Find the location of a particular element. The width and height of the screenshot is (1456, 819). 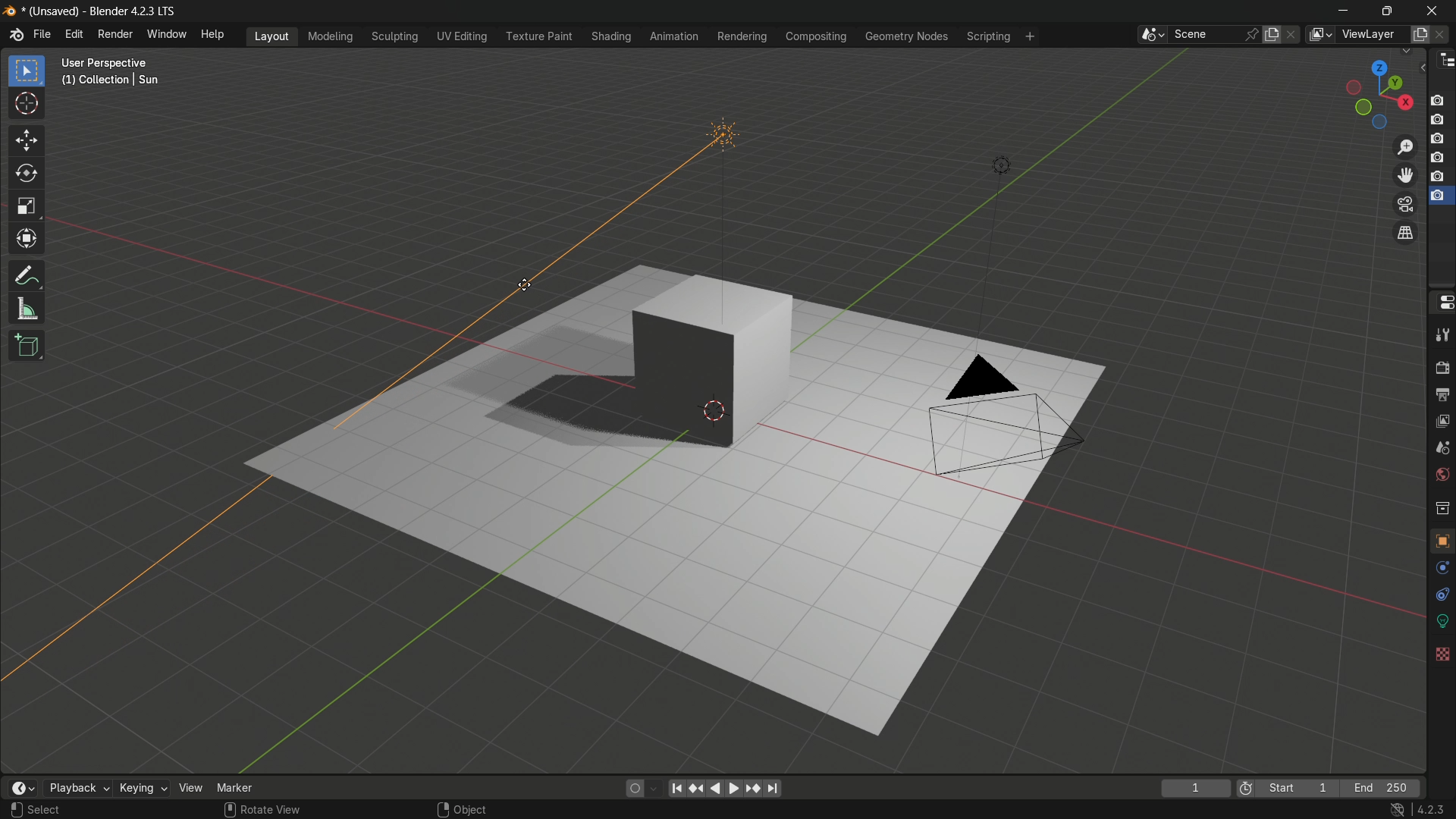

browse scenes is located at coordinates (1148, 35).